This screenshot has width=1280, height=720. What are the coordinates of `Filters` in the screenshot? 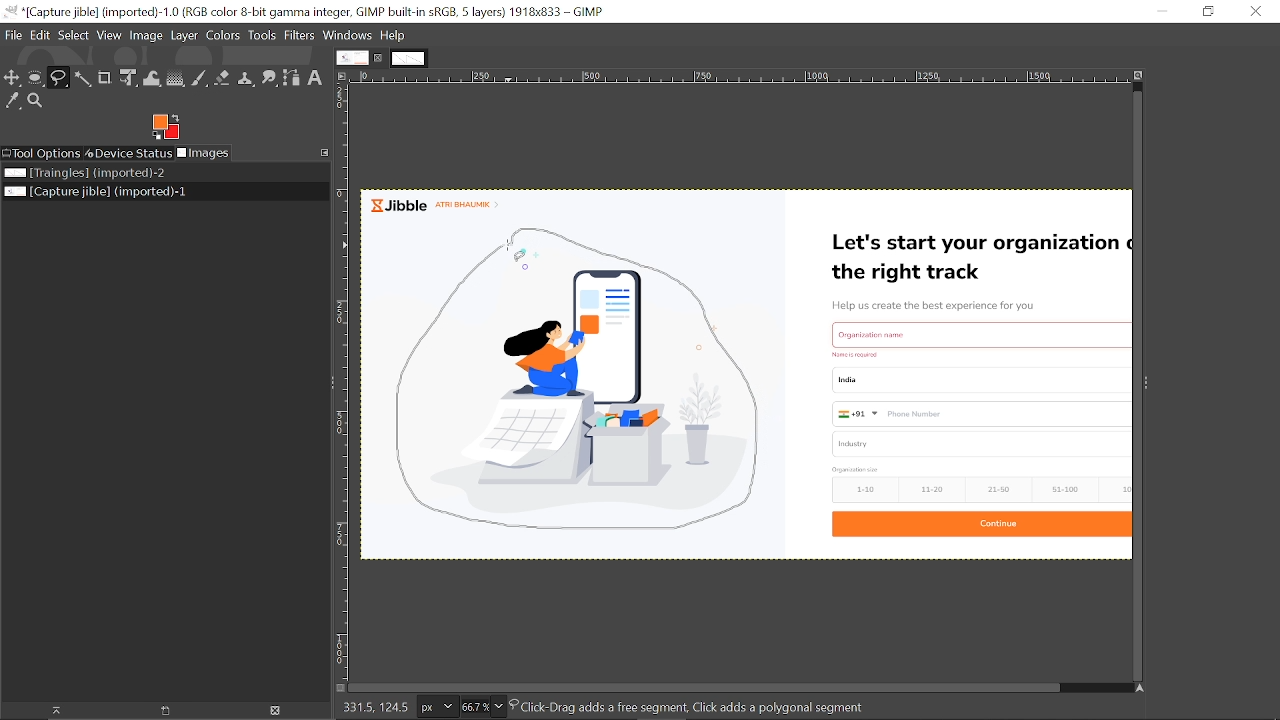 It's located at (301, 37).